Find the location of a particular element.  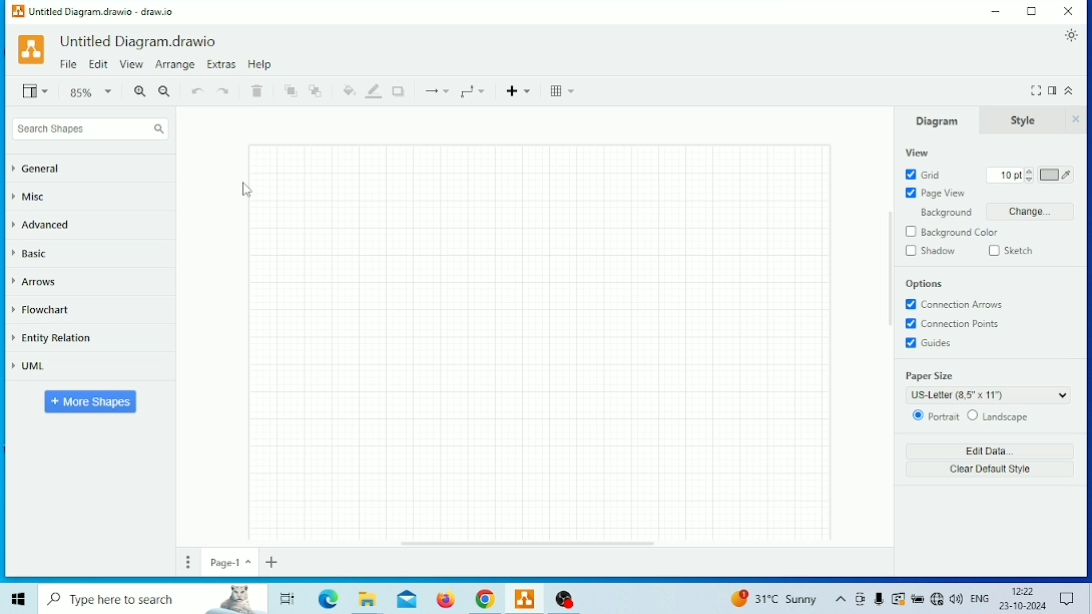

File name is located at coordinates (140, 41).